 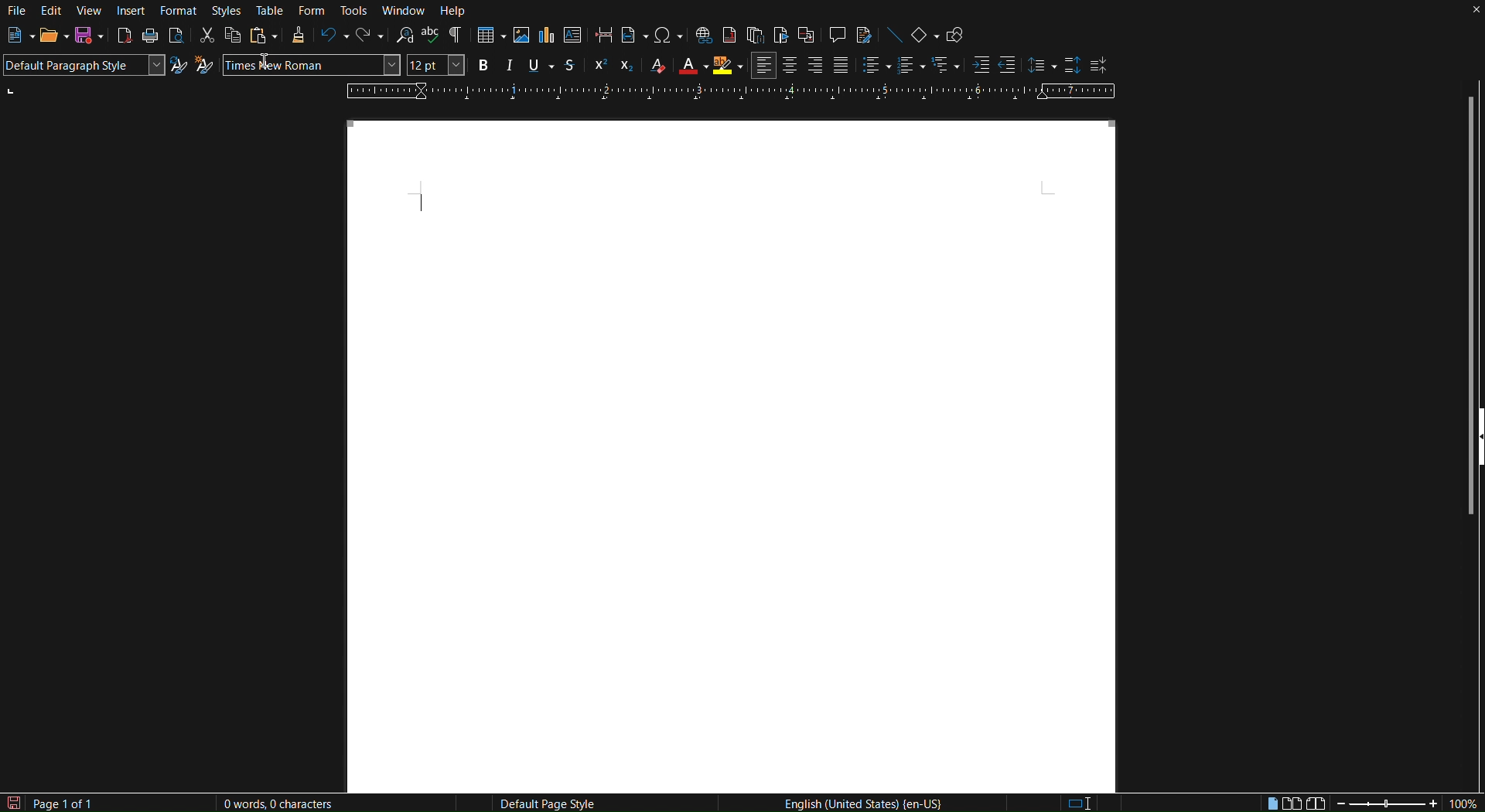 What do you see at coordinates (457, 12) in the screenshot?
I see `Help` at bounding box center [457, 12].